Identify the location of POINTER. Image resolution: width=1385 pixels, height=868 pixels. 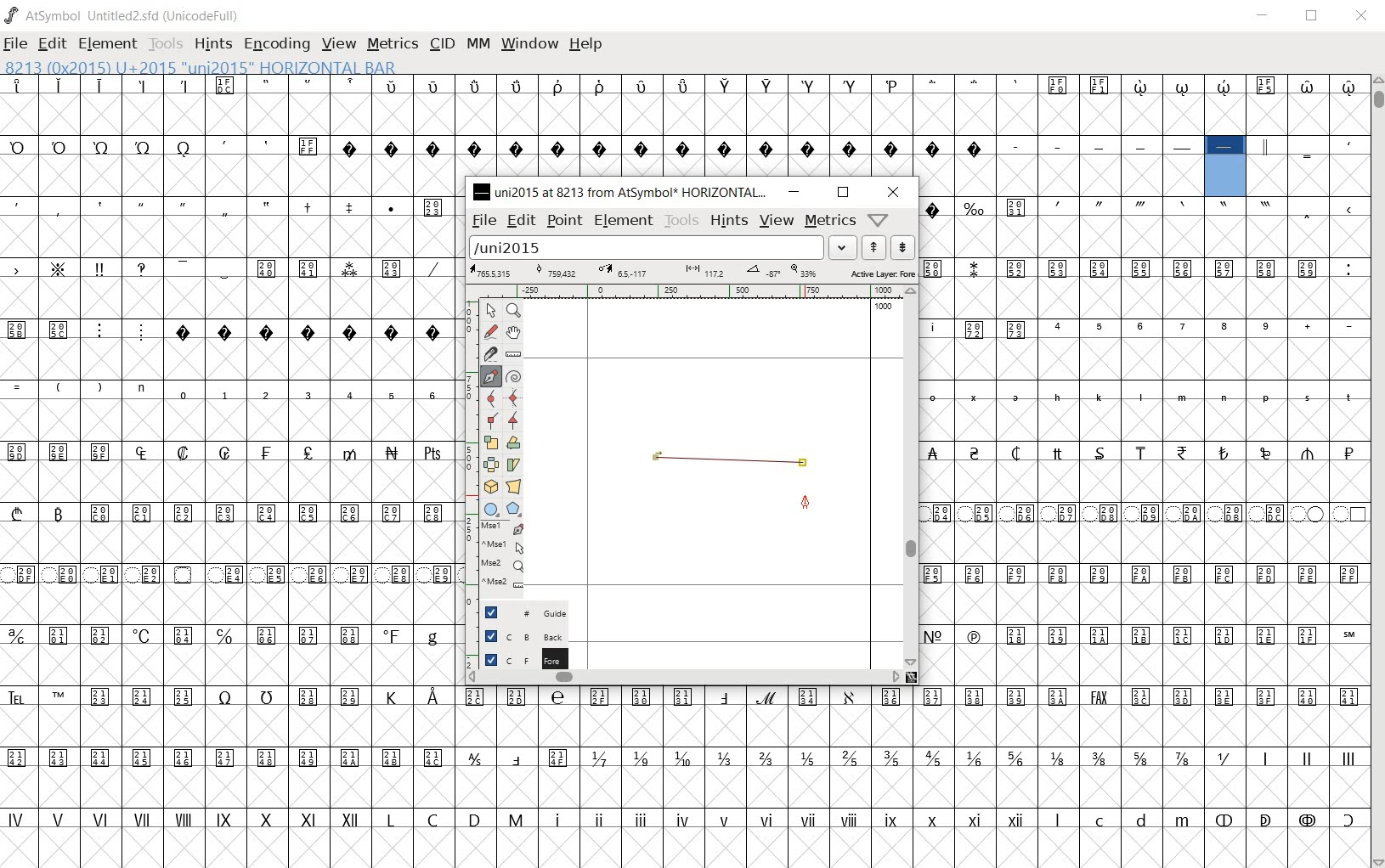
(492, 312).